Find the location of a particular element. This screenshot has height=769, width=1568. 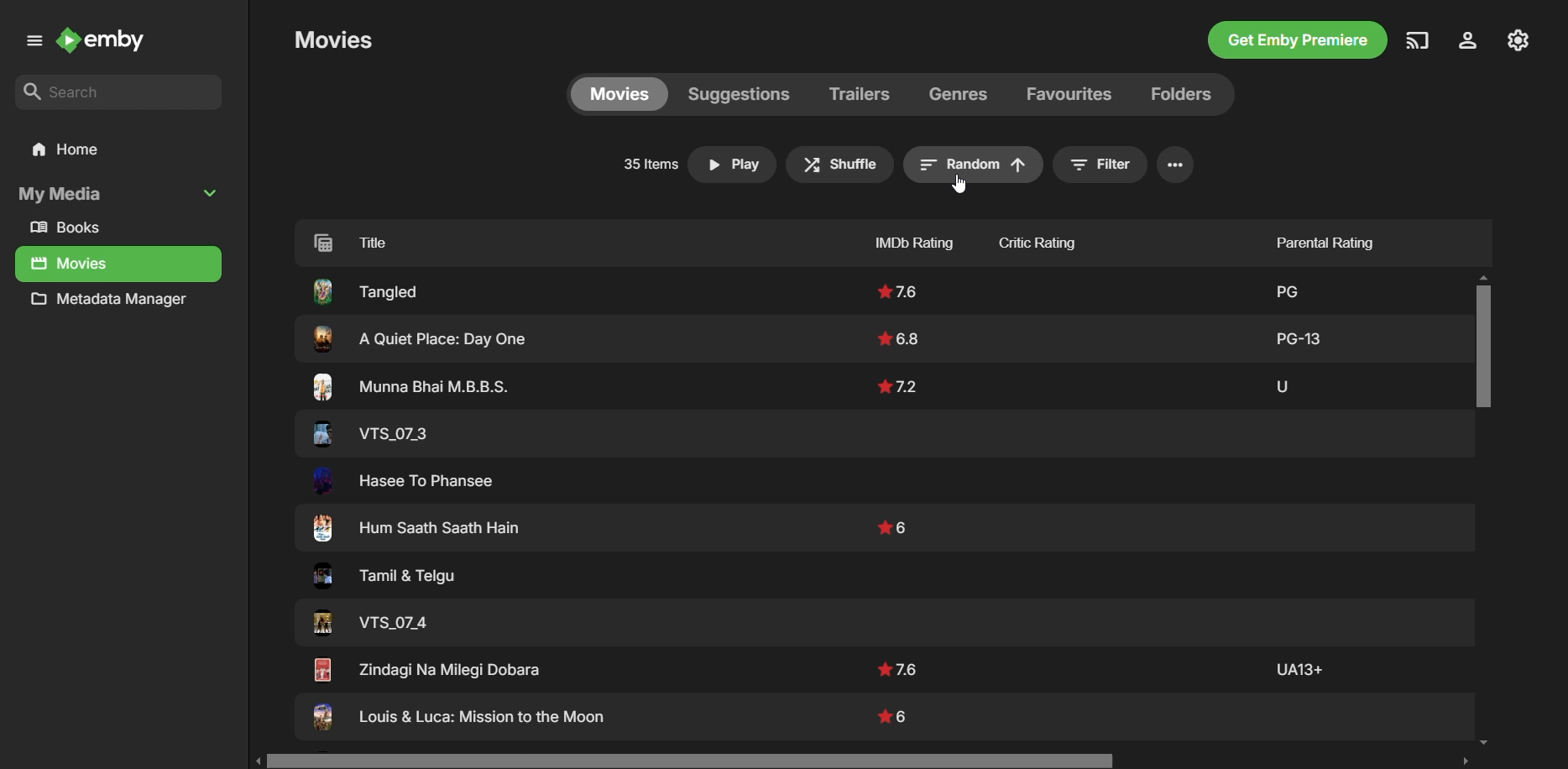

 is located at coordinates (897, 294).